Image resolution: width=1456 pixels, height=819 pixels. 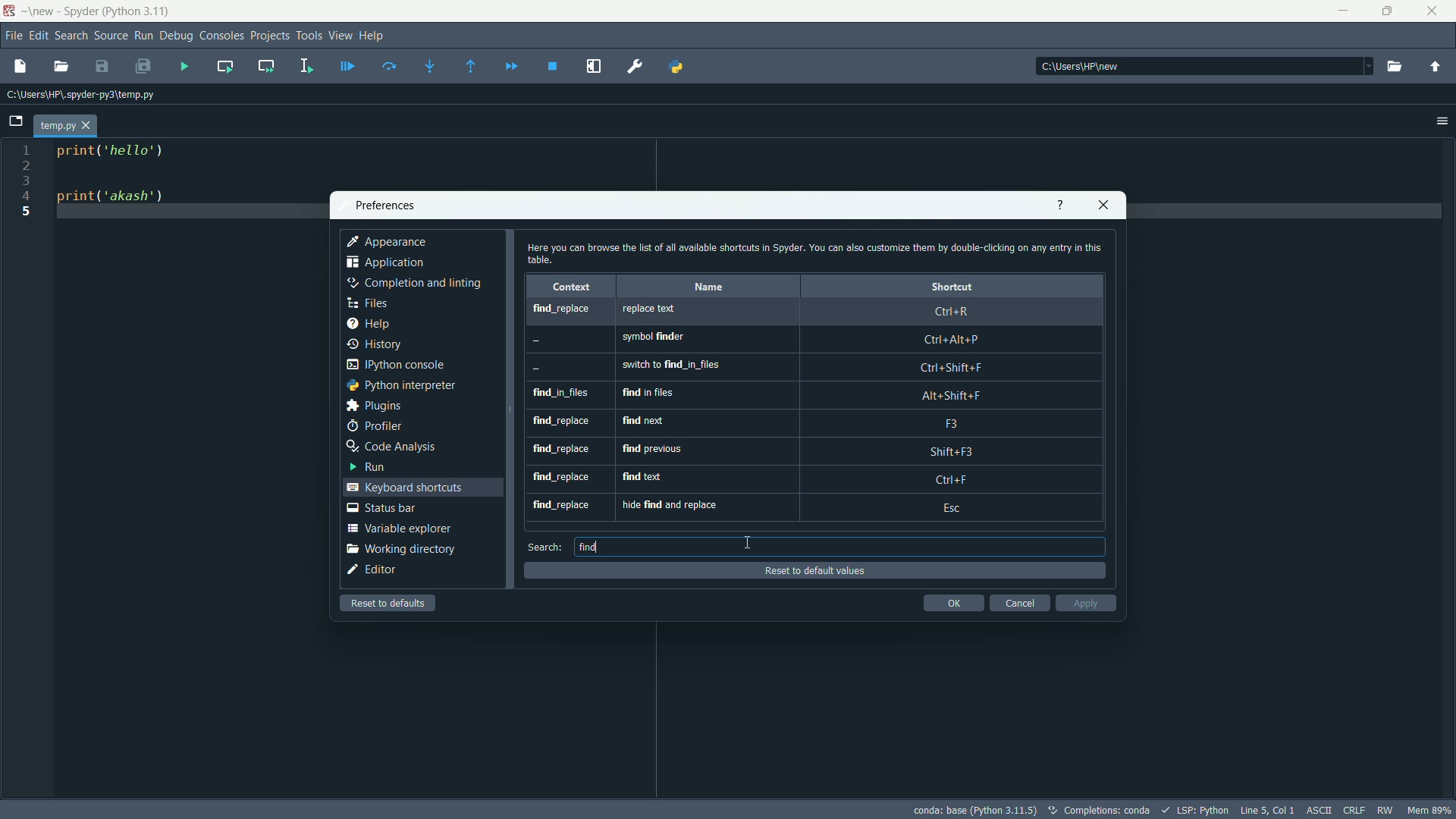 What do you see at coordinates (1266, 808) in the screenshot?
I see `Line 5, Col 1` at bounding box center [1266, 808].